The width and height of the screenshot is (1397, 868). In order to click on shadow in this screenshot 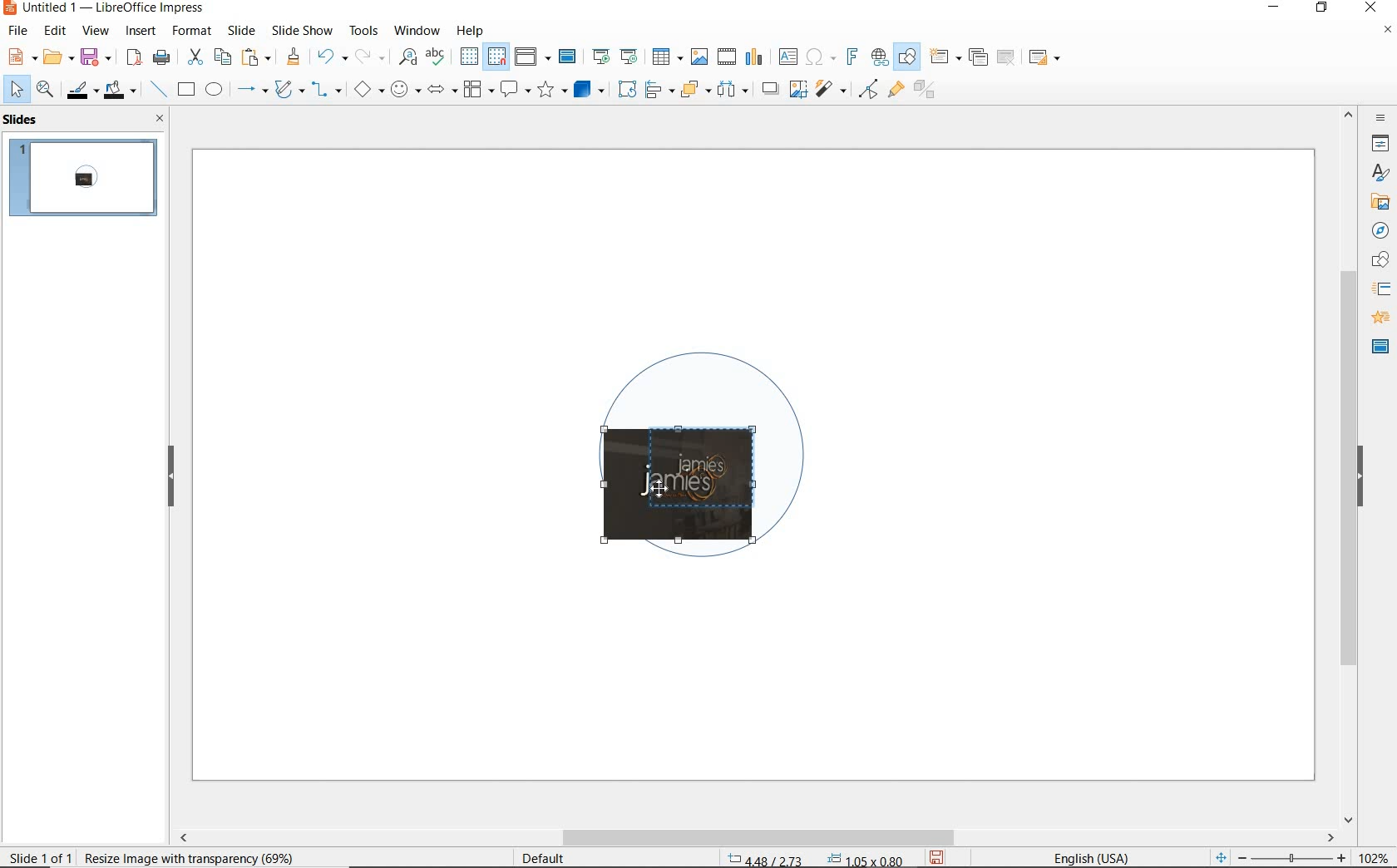, I will do `click(769, 87)`.